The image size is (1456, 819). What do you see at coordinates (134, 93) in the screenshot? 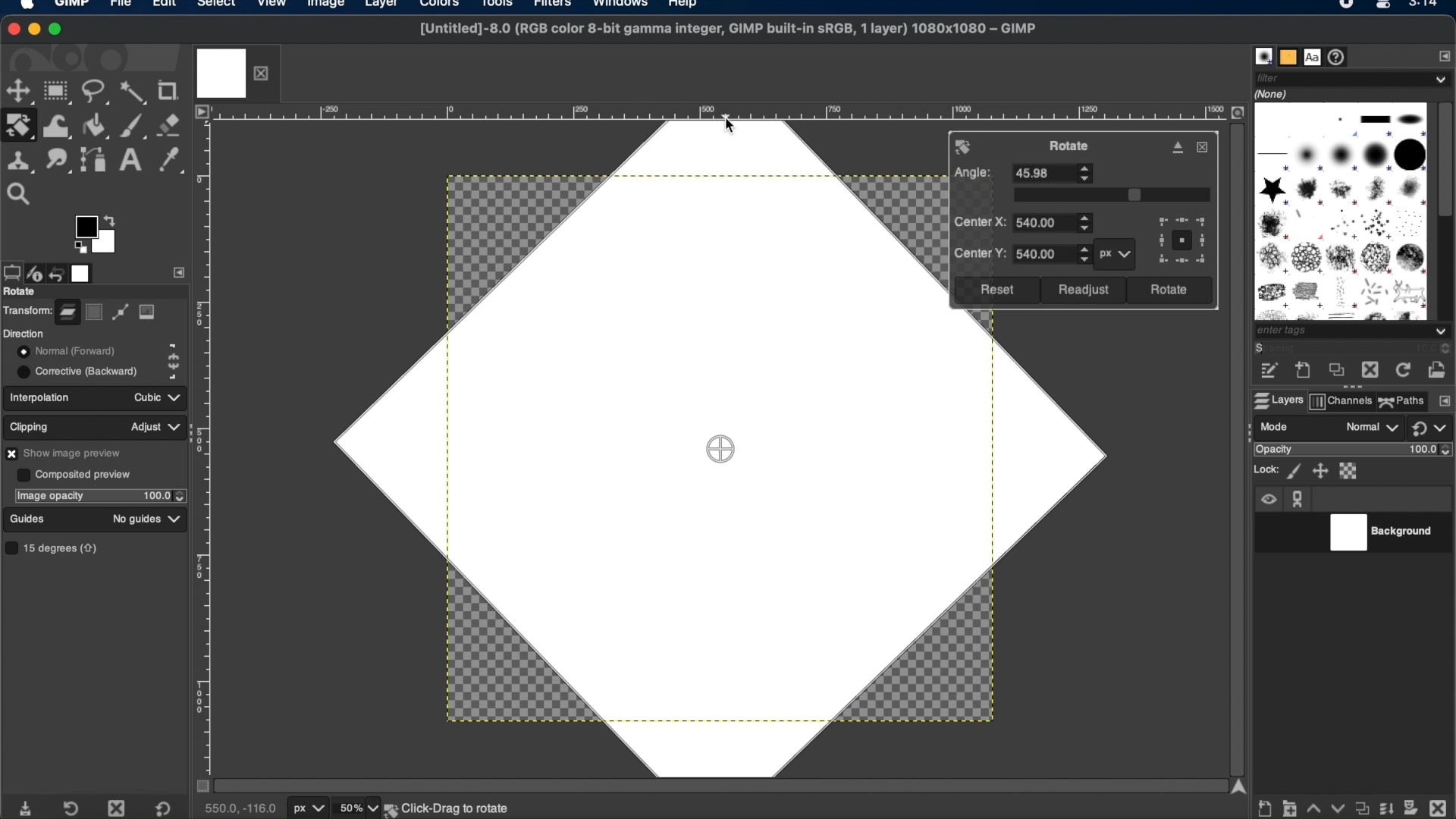
I see `fuzzy select tool` at bounding box center [134, 93].